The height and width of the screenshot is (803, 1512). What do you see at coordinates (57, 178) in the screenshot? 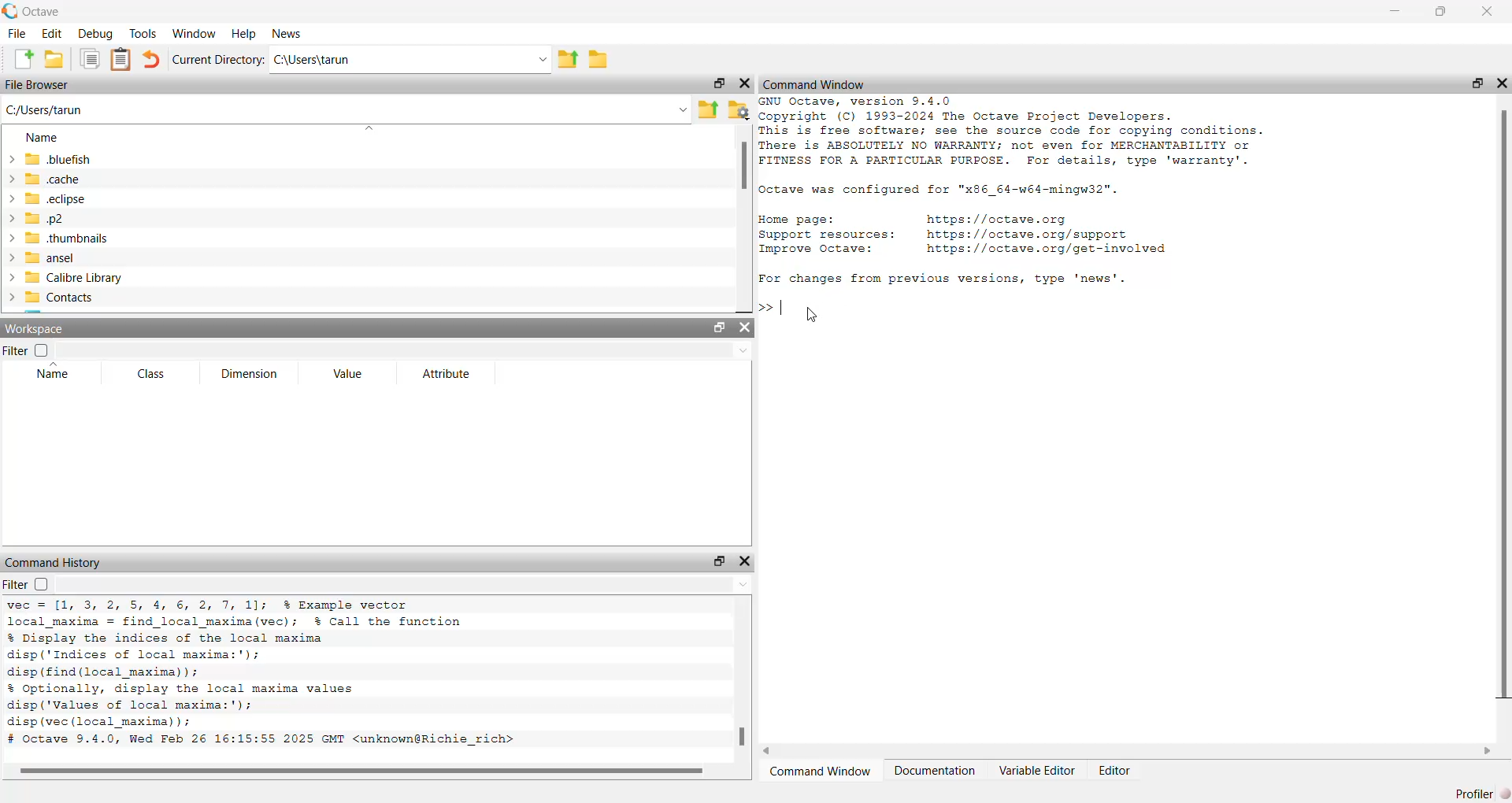
I see `.cache` at bounding box center [57, 178].